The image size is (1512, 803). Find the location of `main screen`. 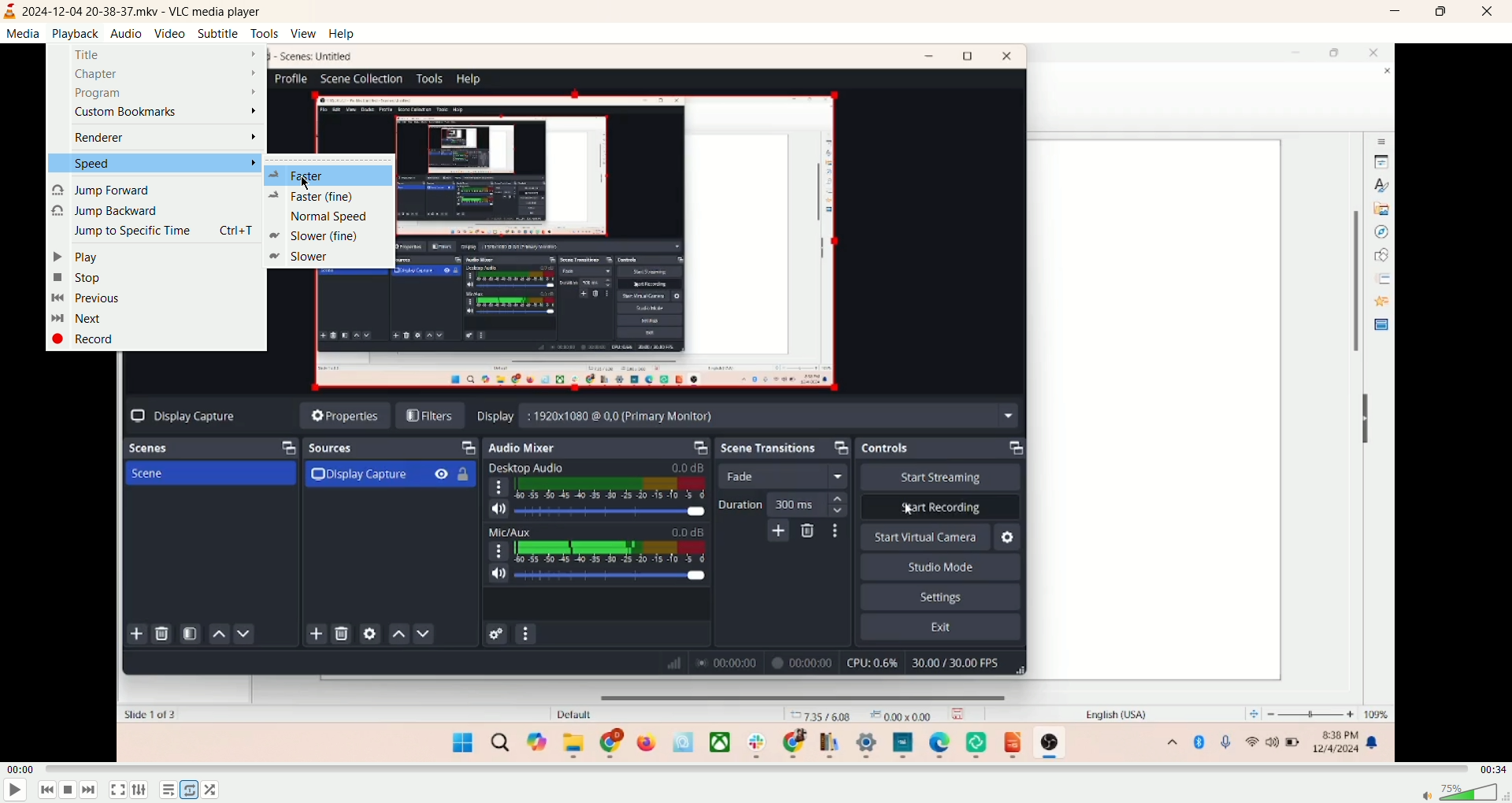

main screen is located at coordinates (755, 561).